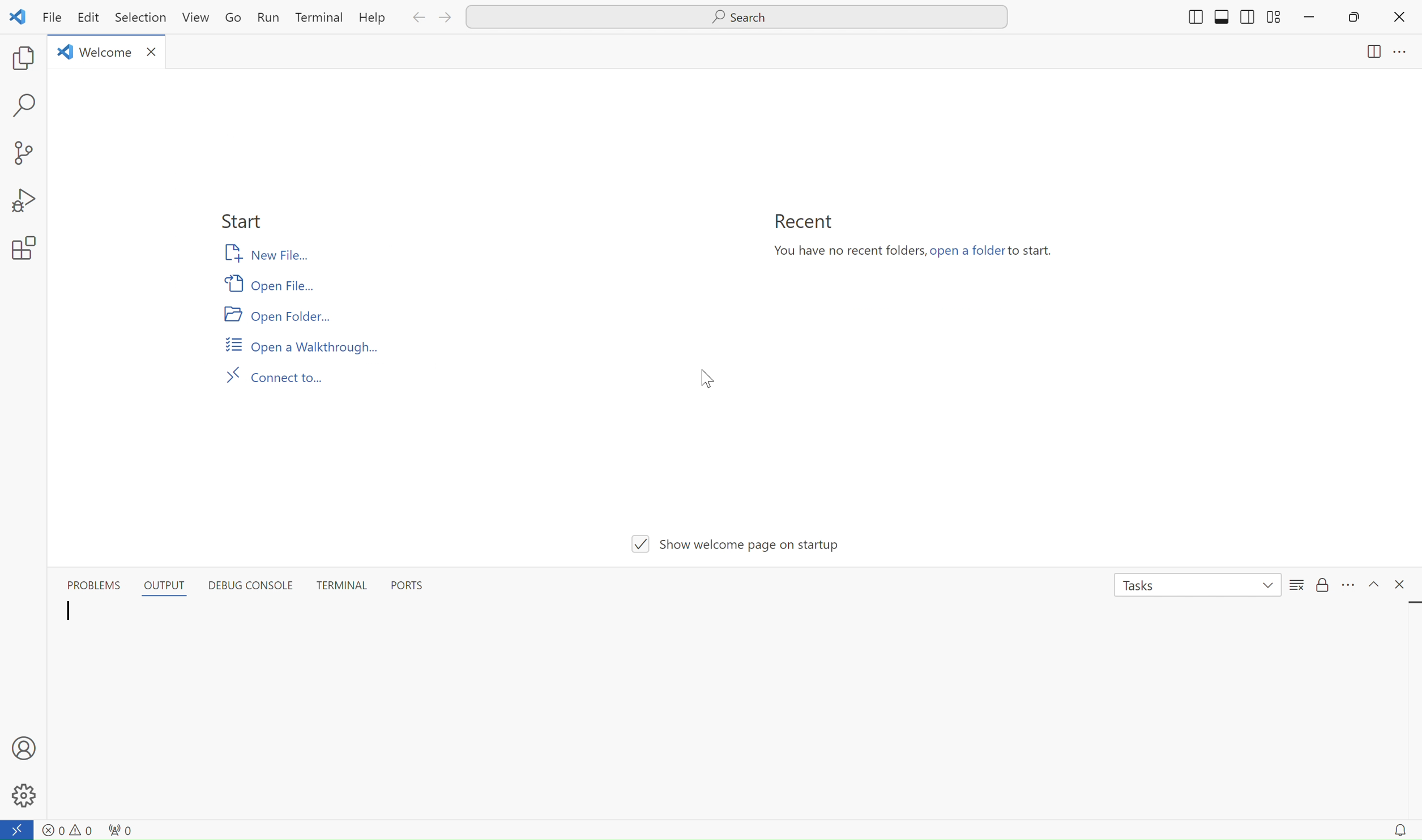  I want to click on menu, so click(1405, 57).